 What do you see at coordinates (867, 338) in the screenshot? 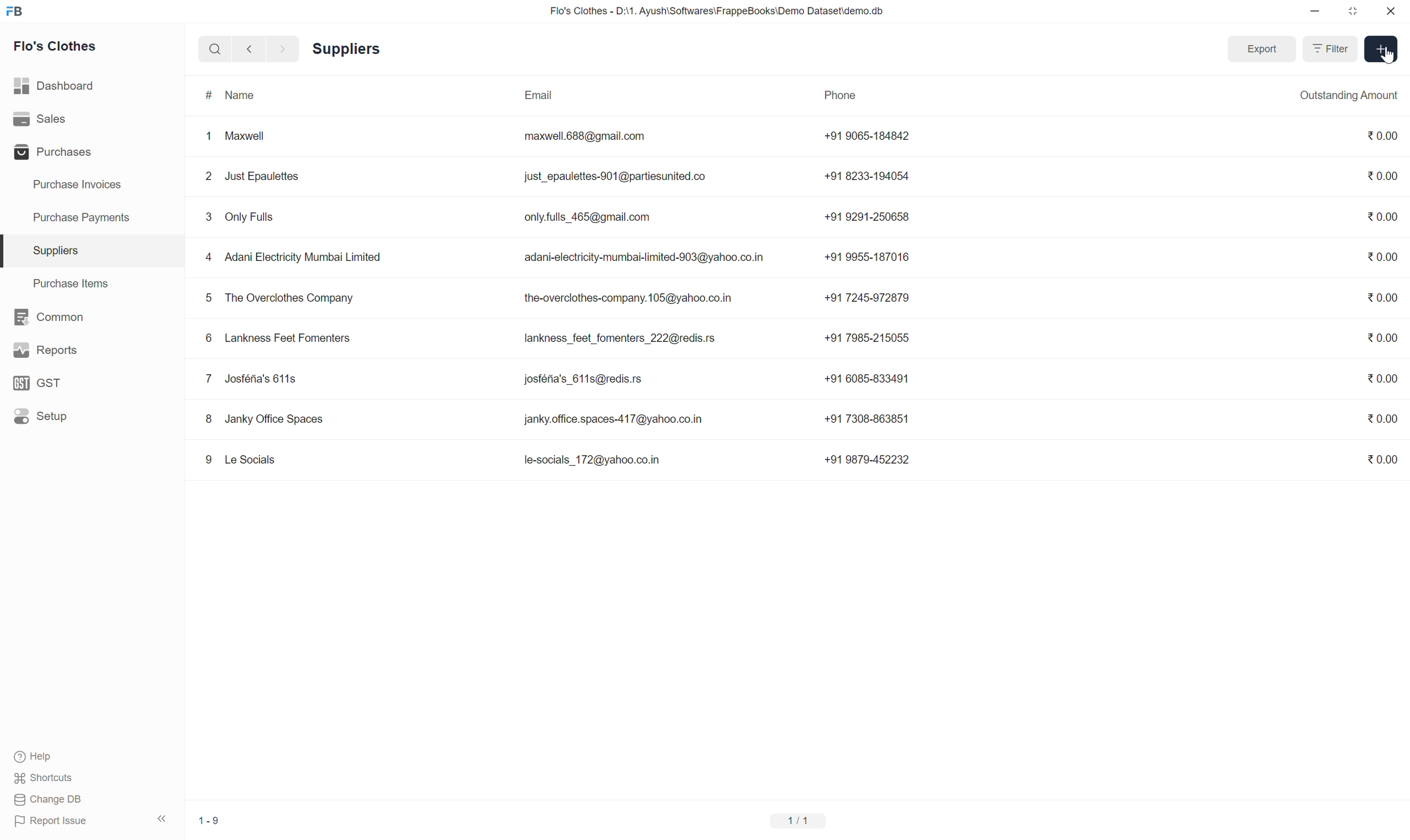
I see `+91 7985-215055` at bounding box center [867, 338].